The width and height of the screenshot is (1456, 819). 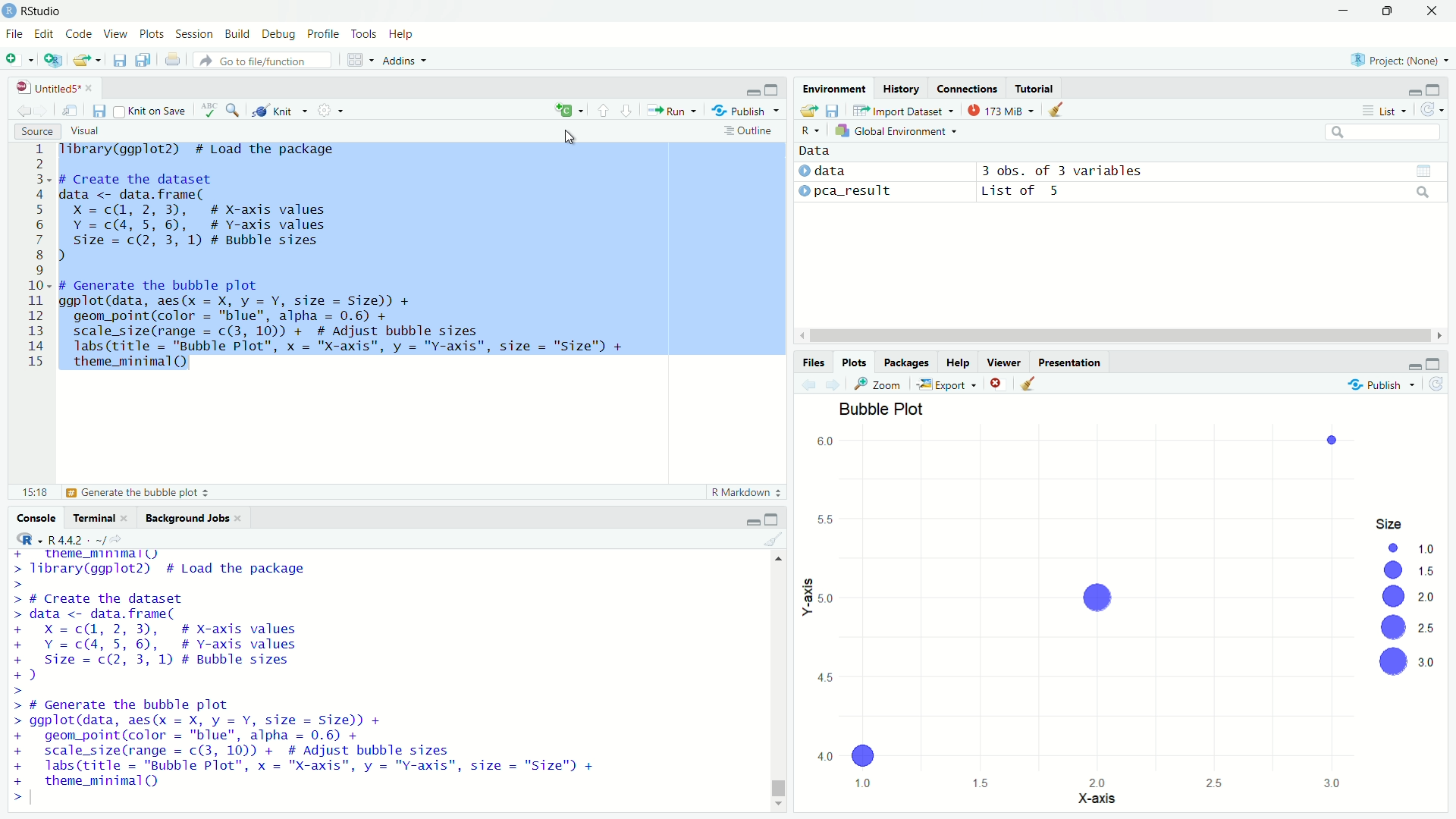 What do you see at coordinates (146, 58) in the screenshot?
I see `save all documents` at bounding box center [146, 58].